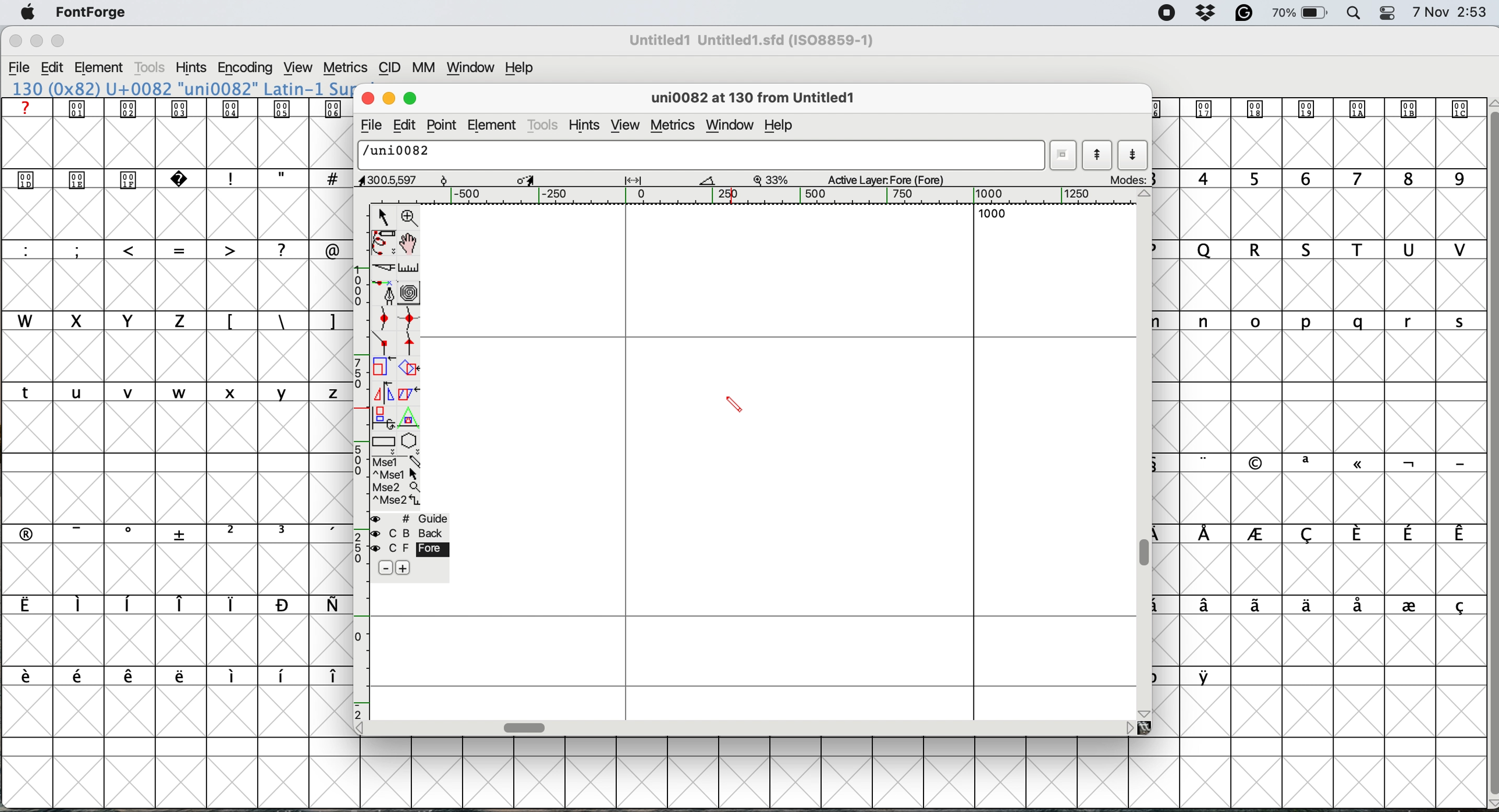 This screenshot has width=1499, height=812. I want to click on zoom in, so click(411, 217).